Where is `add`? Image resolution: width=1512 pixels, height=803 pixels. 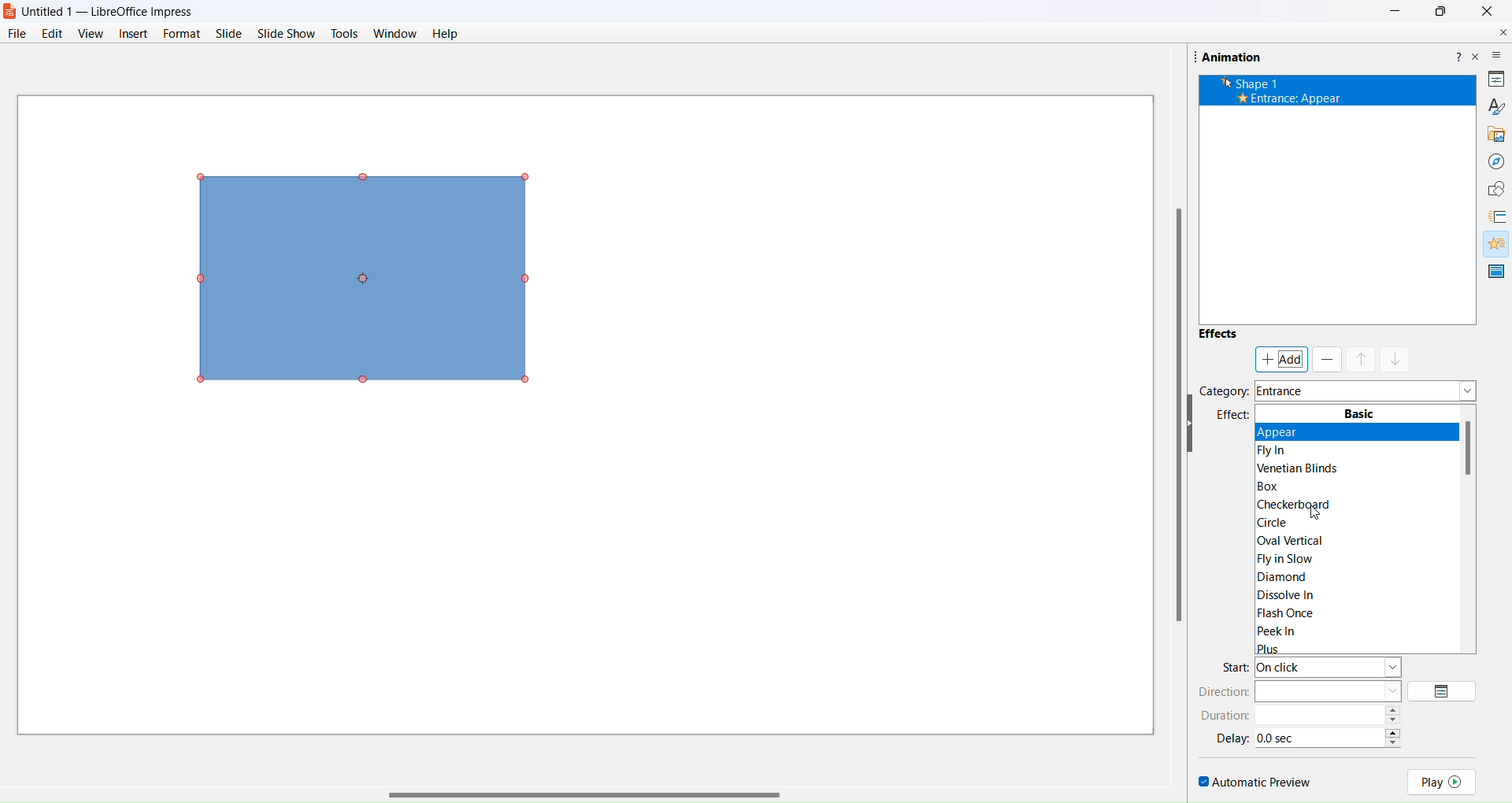
add is located at coordinates (1282, 360).